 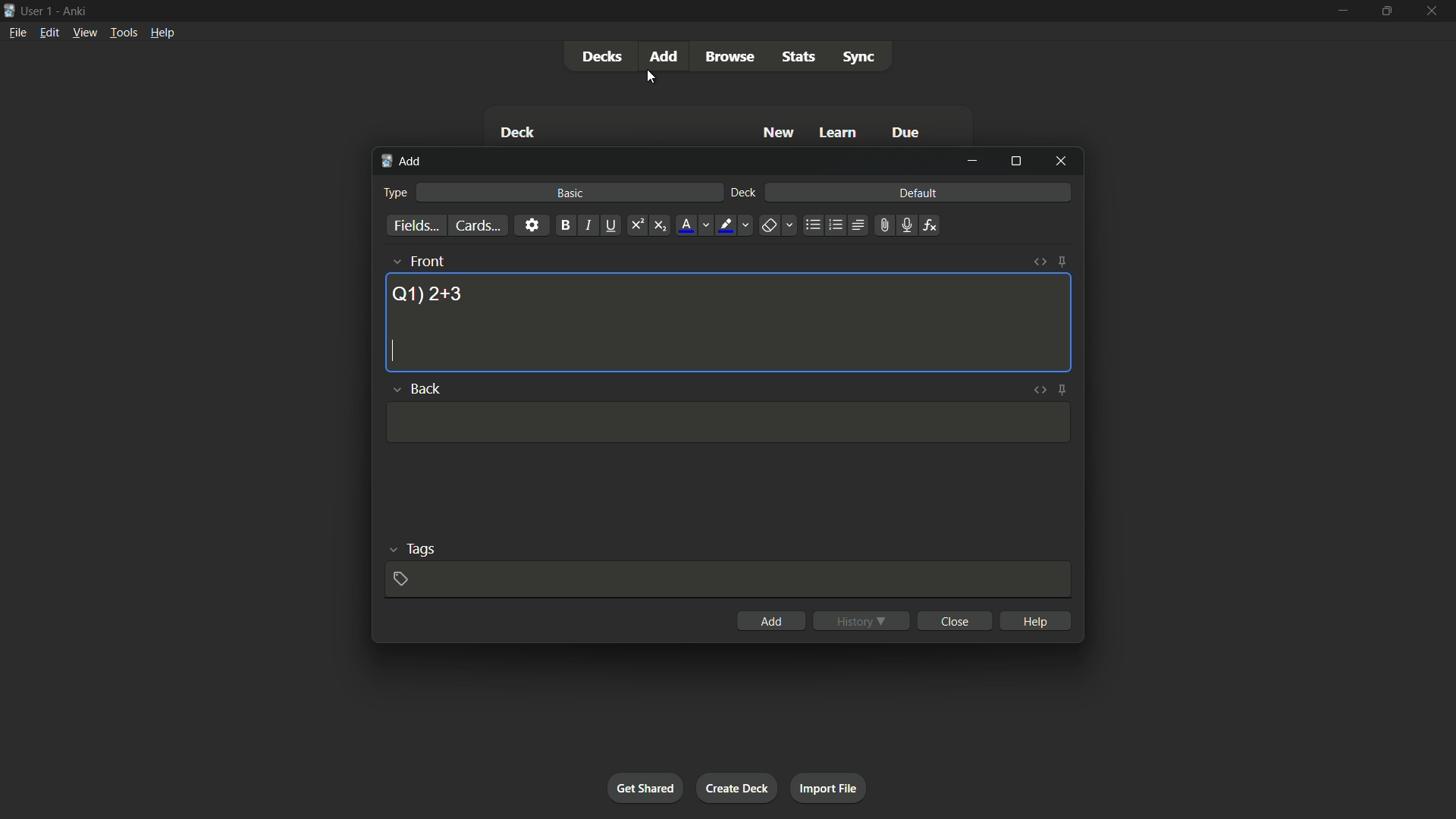 What do you see at coordinates (422, 548) in the screenshot?
I see `tags` at bounding box center [422, 548].